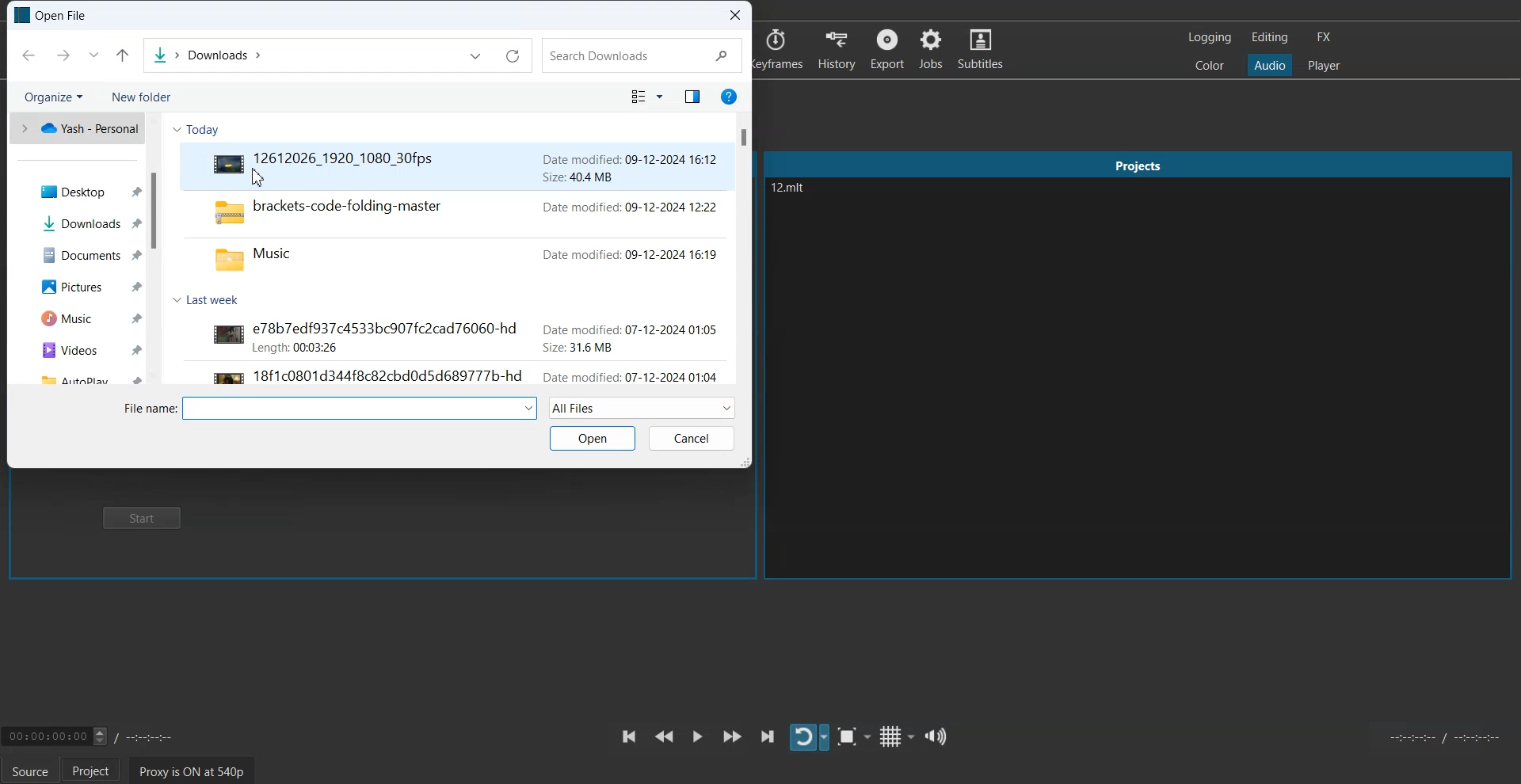 The image size is (1521, 784). I want to click on Pictures, so click(77, 285).